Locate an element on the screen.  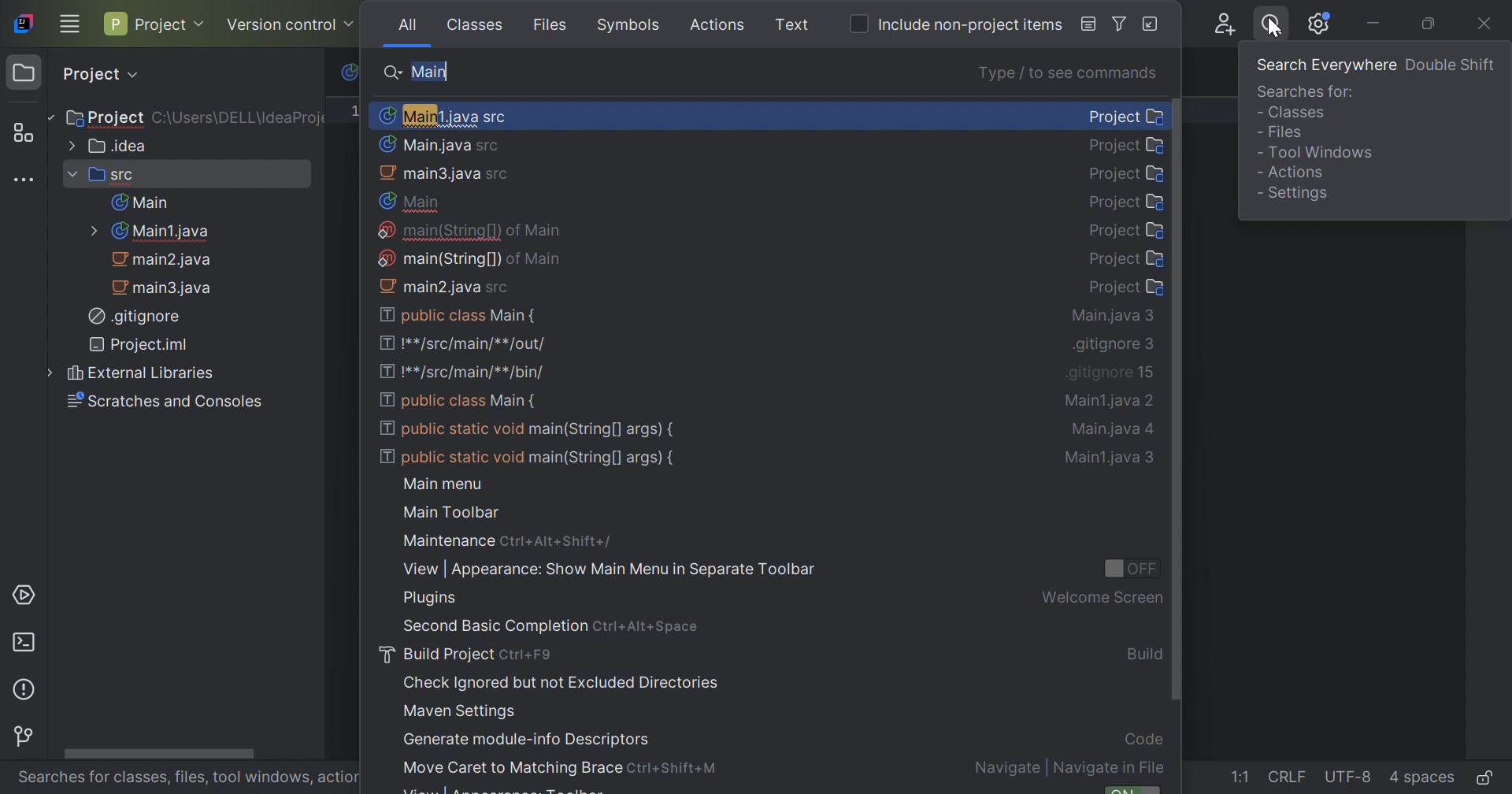
Filter is located at coordinates (1121, 26).